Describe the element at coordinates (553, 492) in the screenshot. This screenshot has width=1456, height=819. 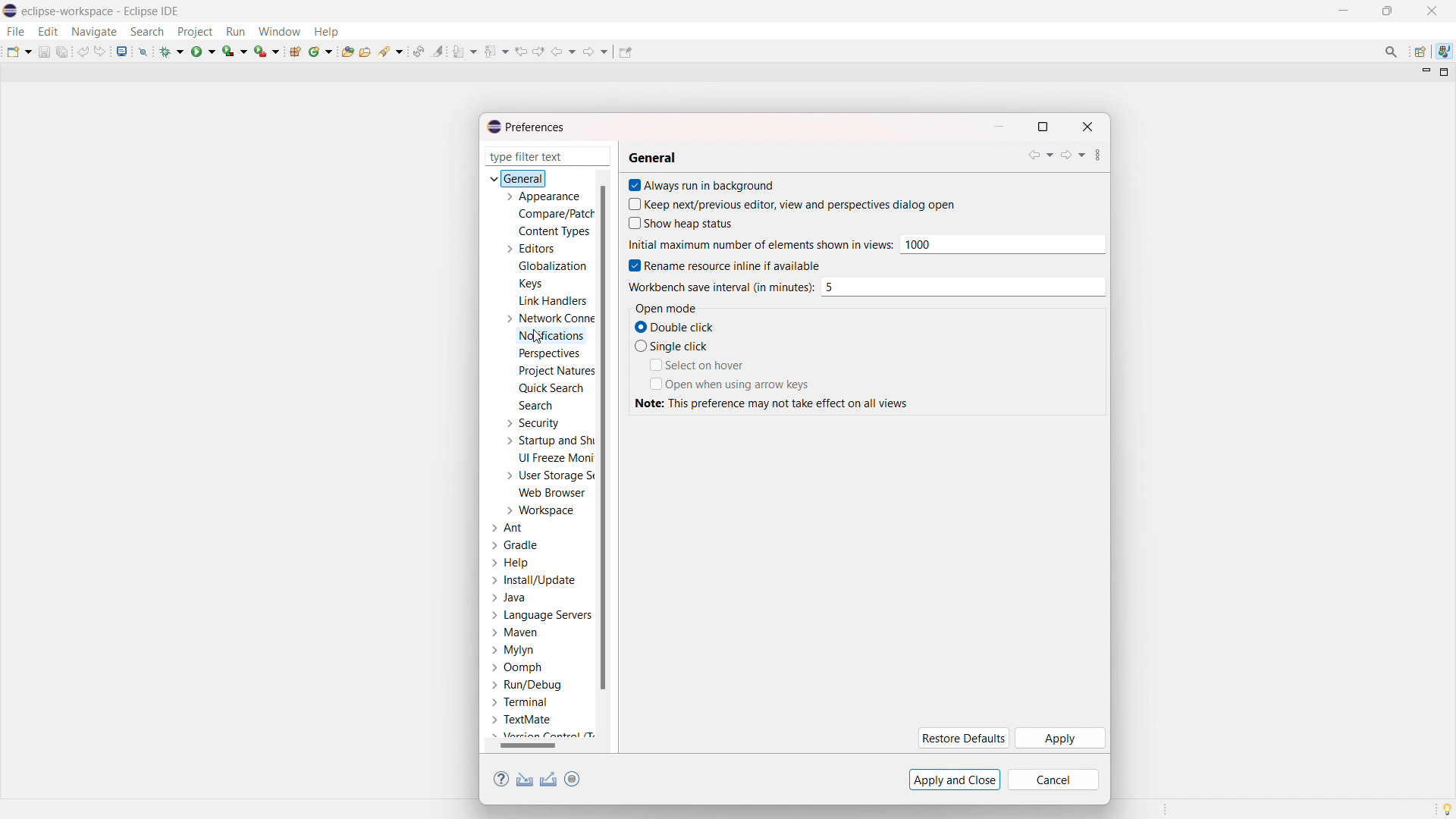
I see `web browser` at that location.